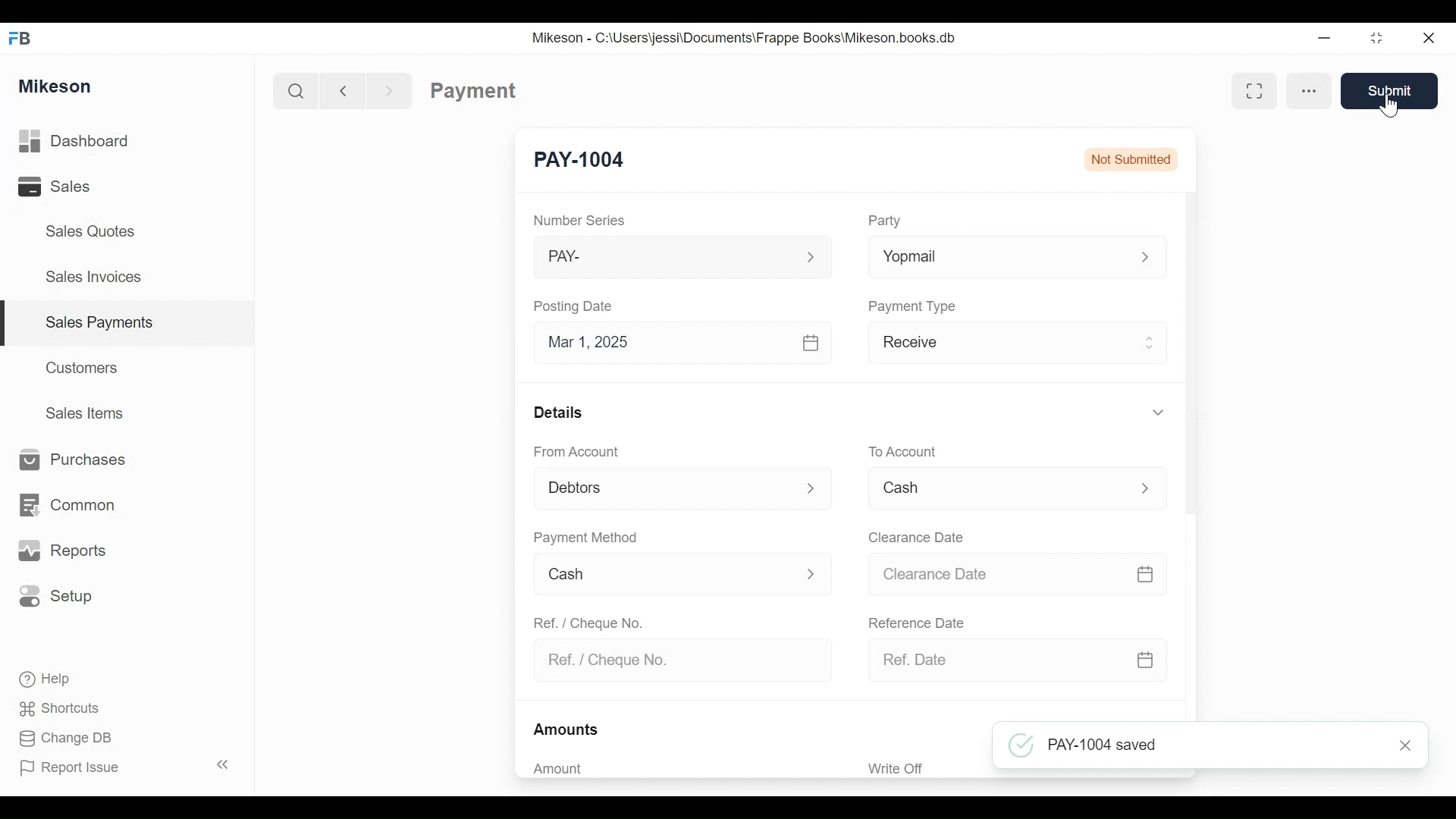  I want to click on cursor, so click(1390, 110).